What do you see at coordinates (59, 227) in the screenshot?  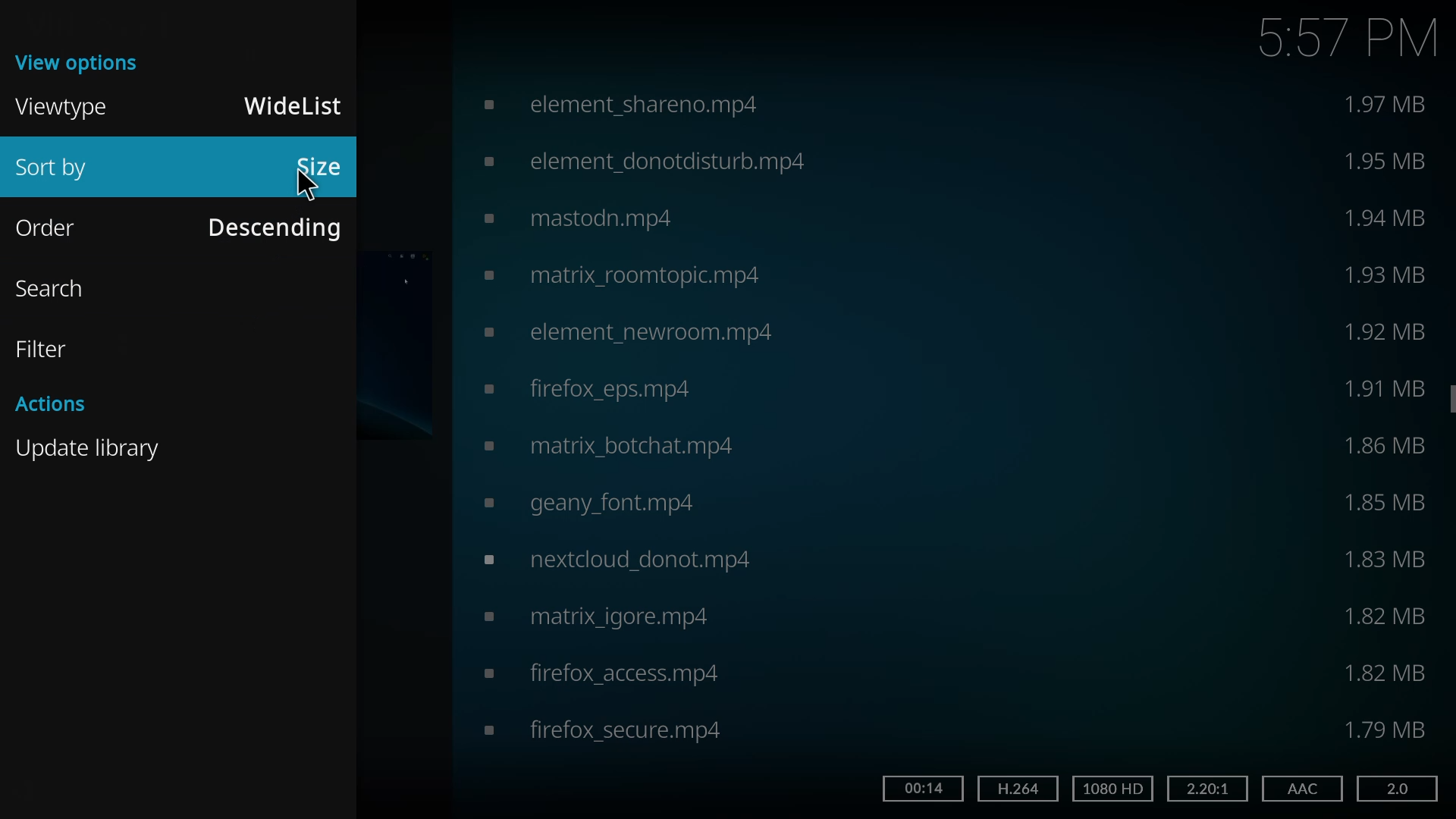 I see `order` at bounding box center [59, 227].